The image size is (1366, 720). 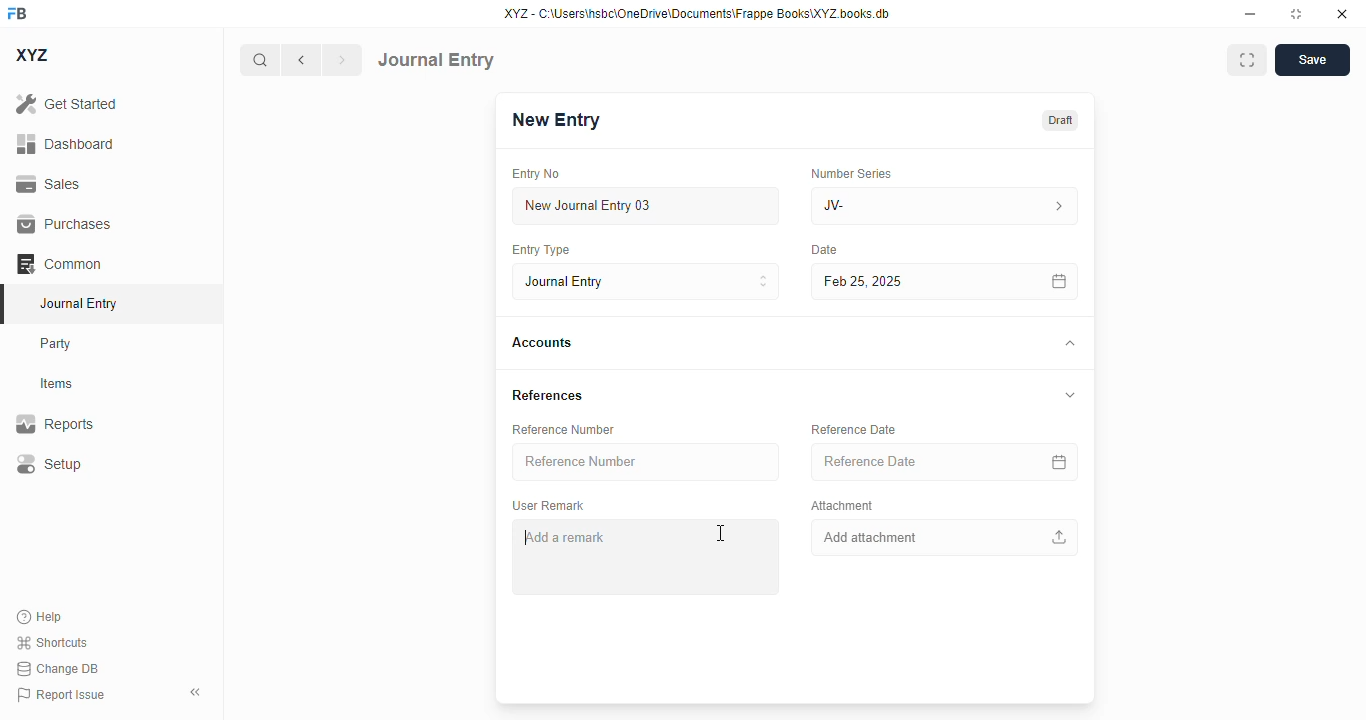 I want to click on toggle between form and full width, so click(x=1248, y=60).